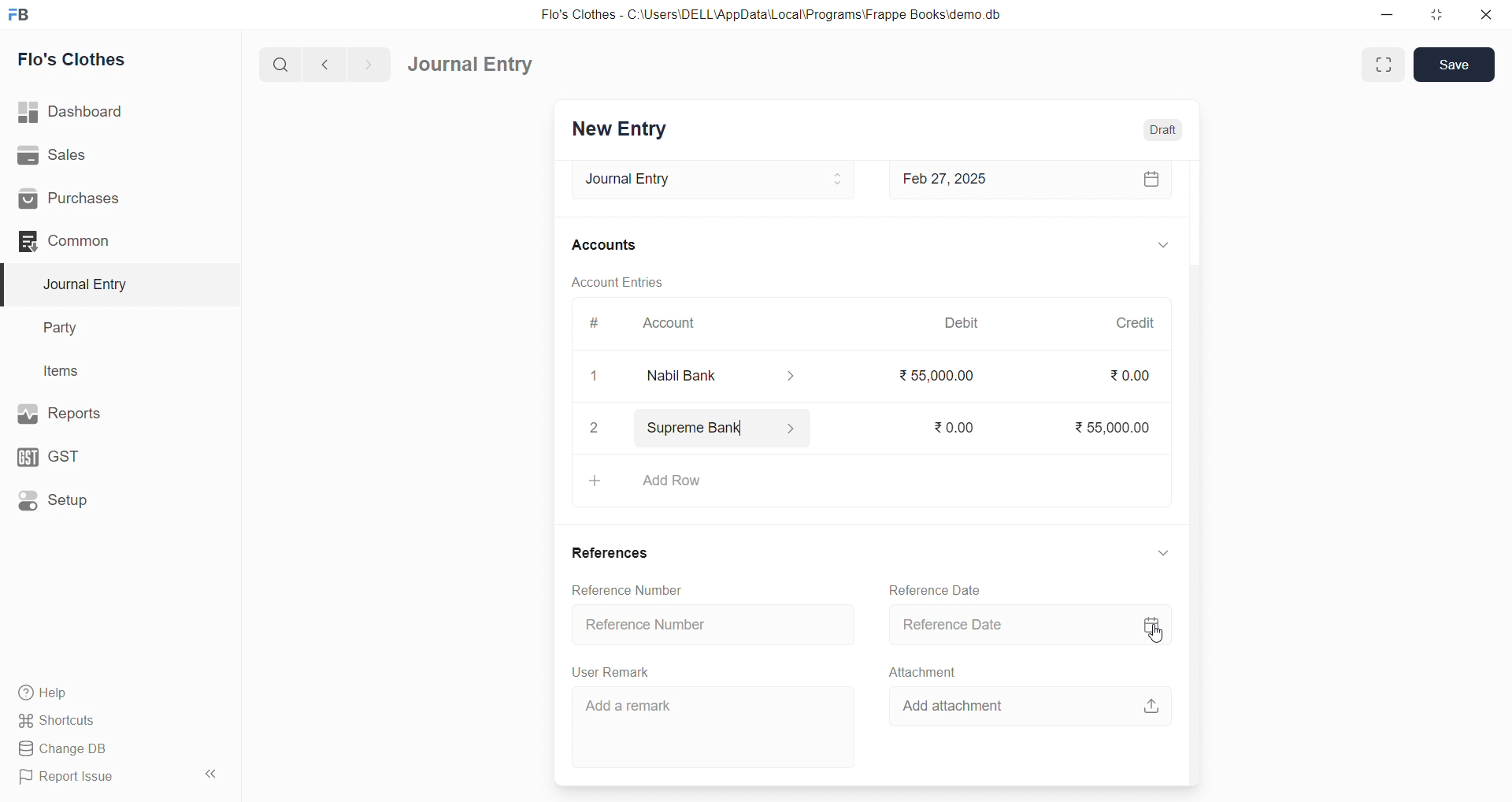 This screenshot has height=802, width=1512. Describe the element at coordinates (610, 671) in the screenshot. I see `User Remark` at that location.